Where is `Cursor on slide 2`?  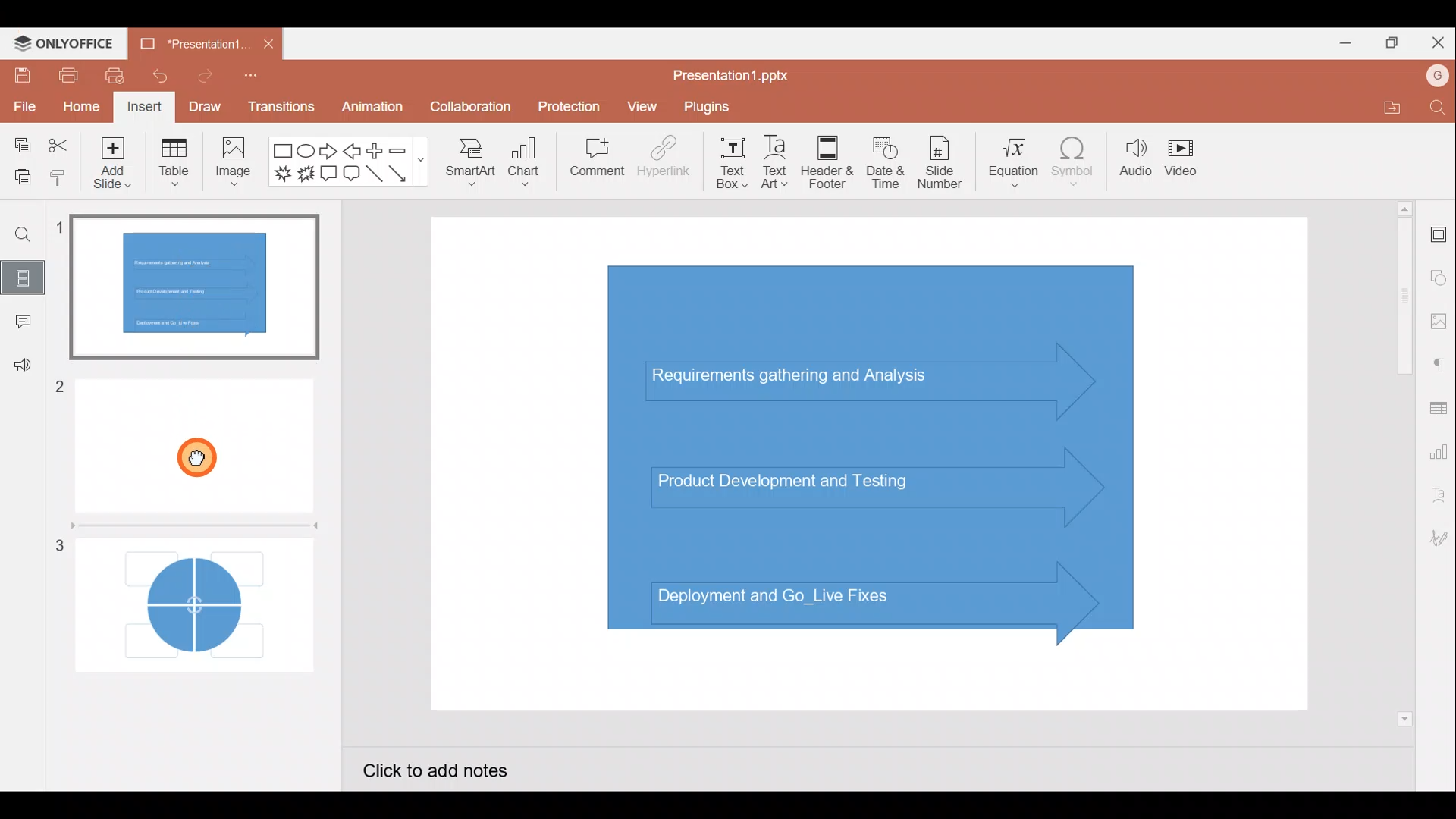
Cursor on slide 2 is located at coordinates (199, 452).